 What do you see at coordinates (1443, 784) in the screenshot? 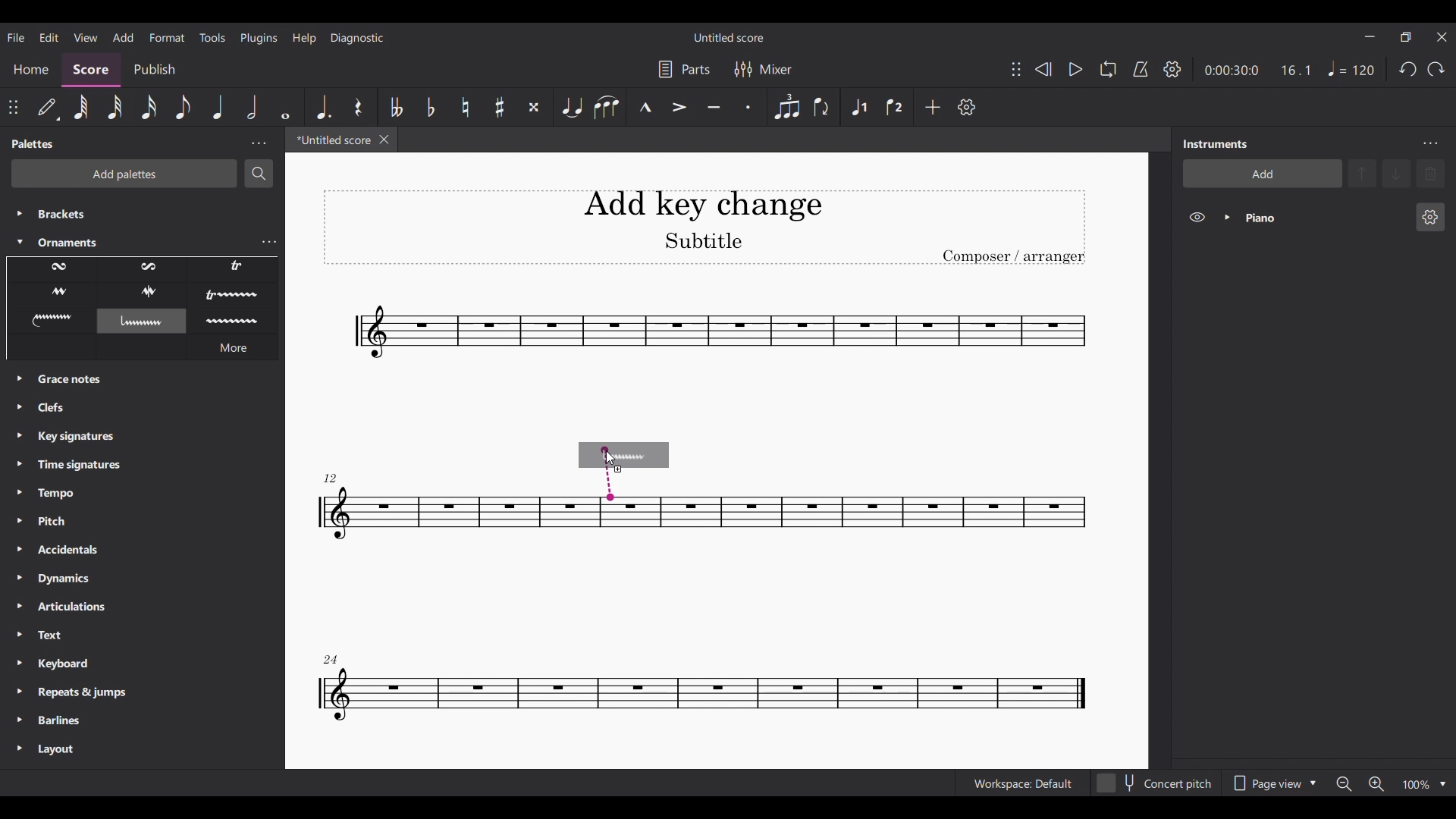
I see `Zoom options` at bounding box center [1443, 784].